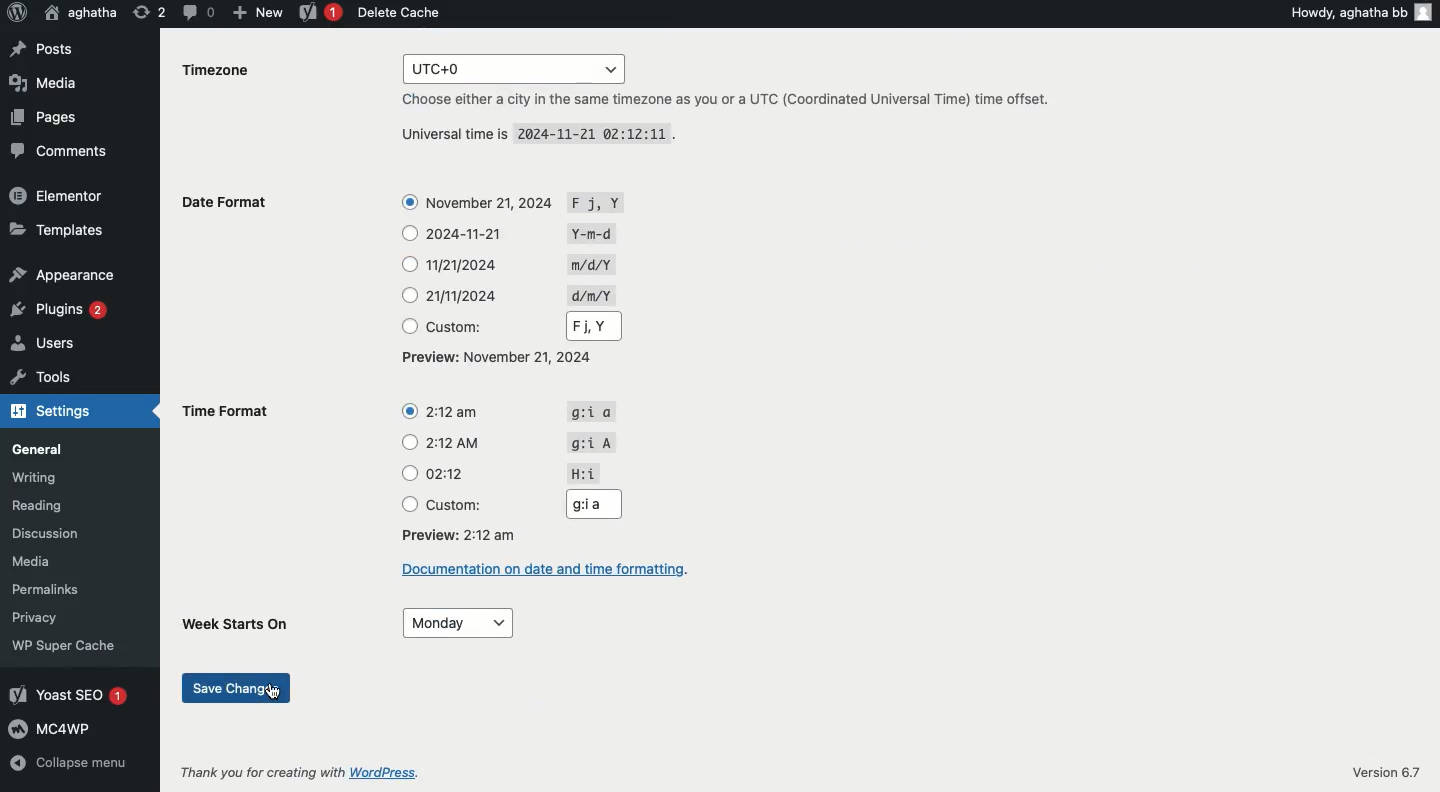 This screenshot has height=792, width=1440. Describe the element at coordinates (81, 11) in the screenshot. I see `aghatha` at that location.